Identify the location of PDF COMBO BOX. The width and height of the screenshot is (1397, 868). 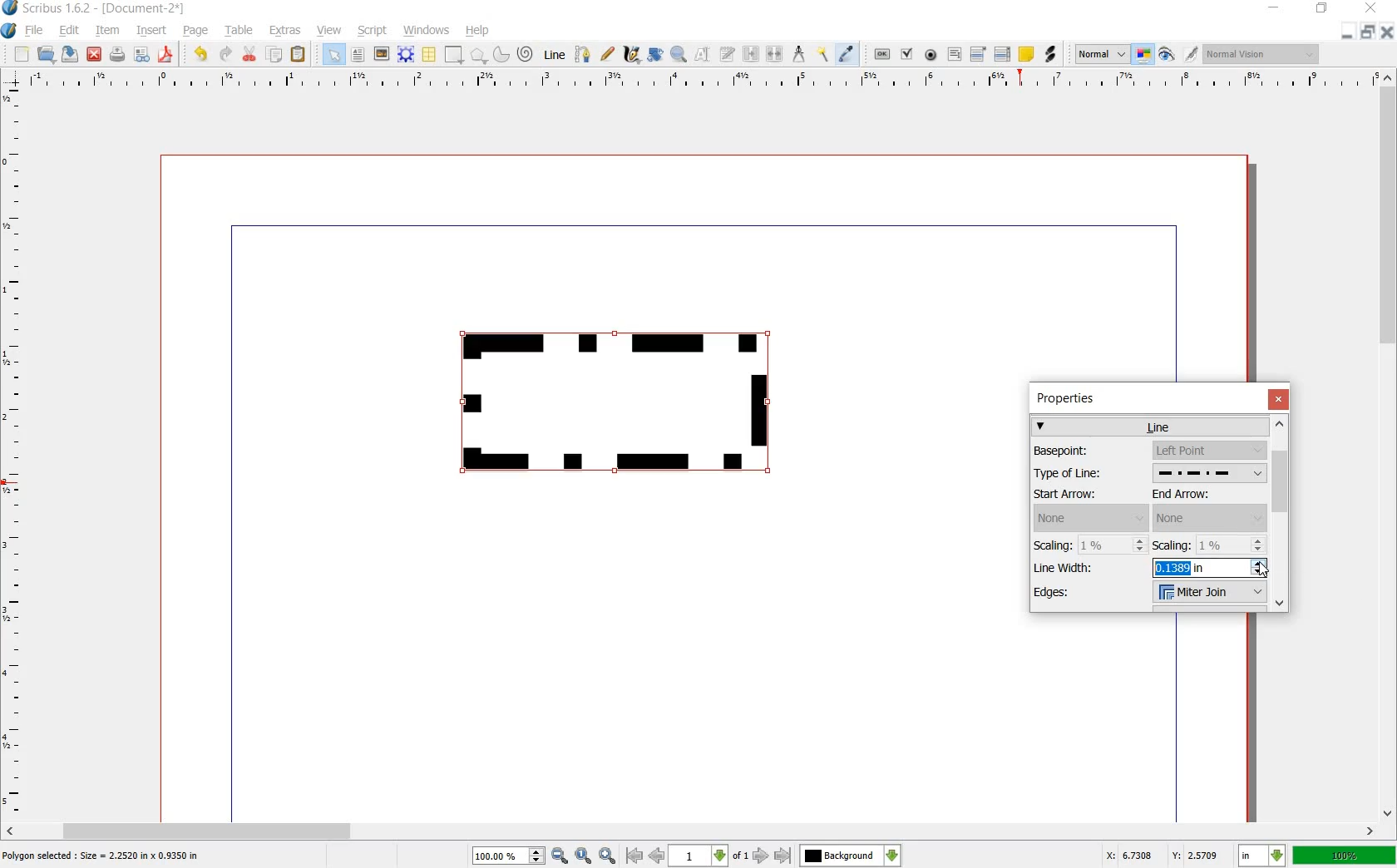
(977, 53).